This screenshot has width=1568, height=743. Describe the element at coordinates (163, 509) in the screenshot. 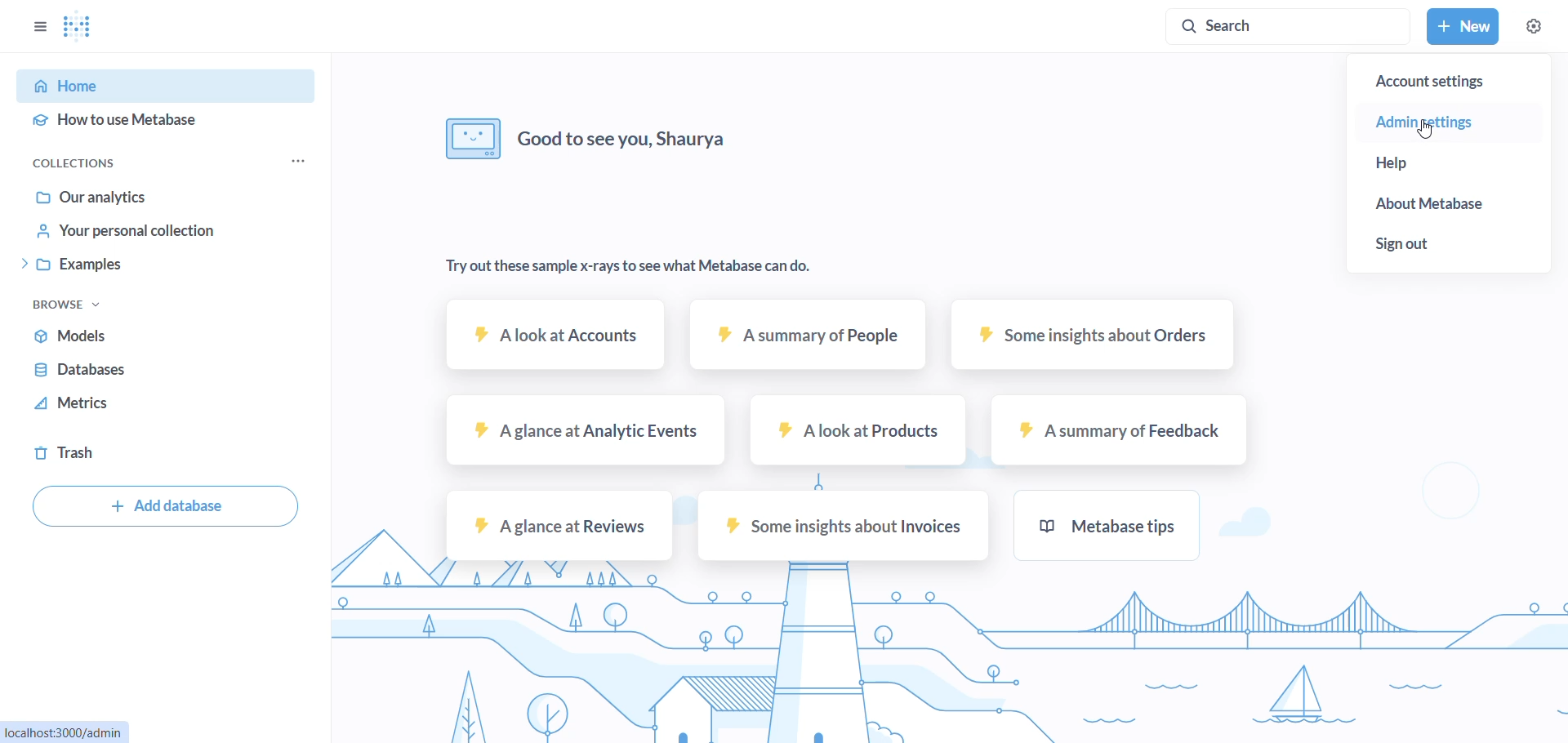

I see `add database` at that location.